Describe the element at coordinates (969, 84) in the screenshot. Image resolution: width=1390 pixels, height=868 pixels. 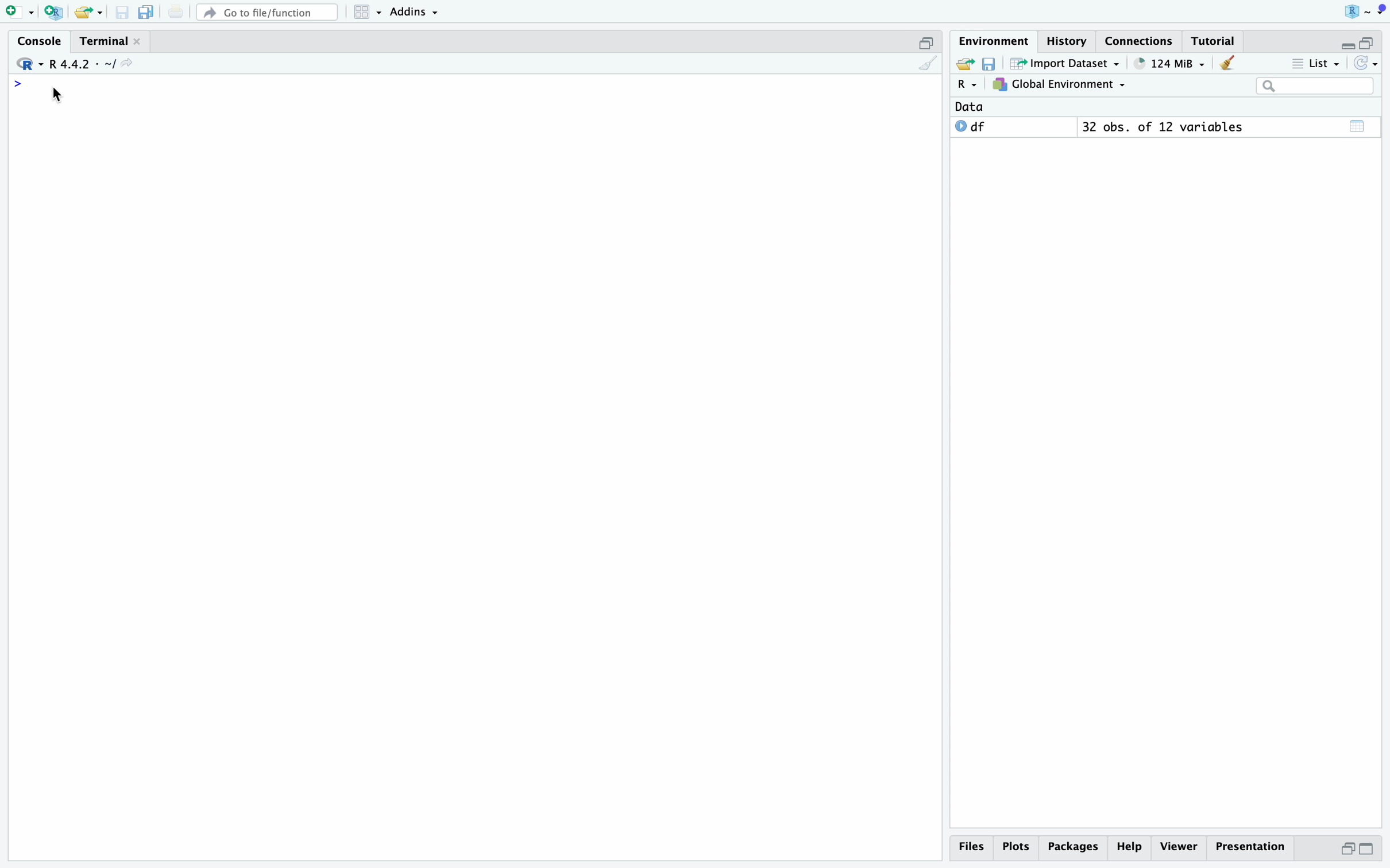
I see `R` at that location.